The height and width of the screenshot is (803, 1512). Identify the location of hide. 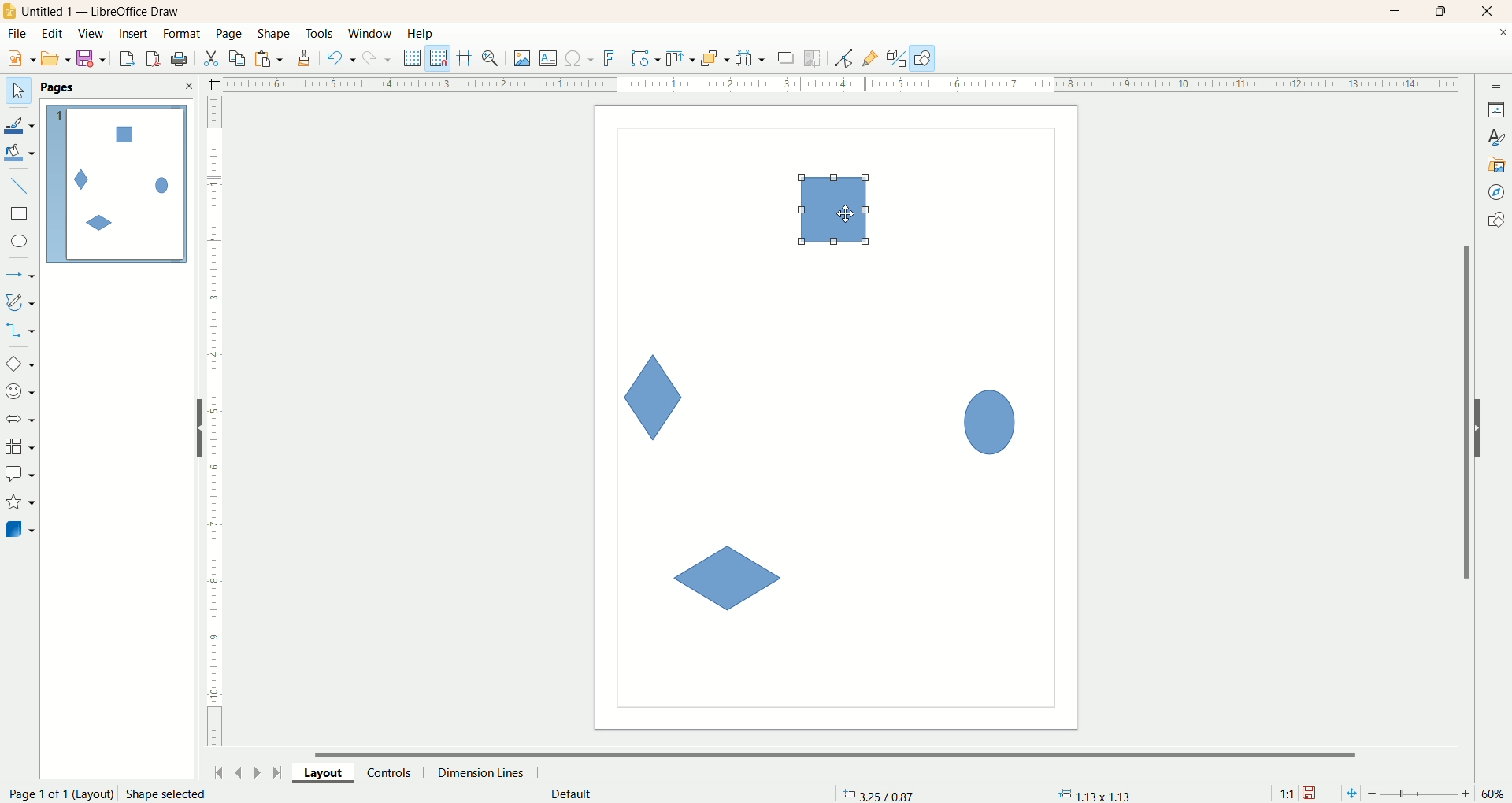
(1486, 425).